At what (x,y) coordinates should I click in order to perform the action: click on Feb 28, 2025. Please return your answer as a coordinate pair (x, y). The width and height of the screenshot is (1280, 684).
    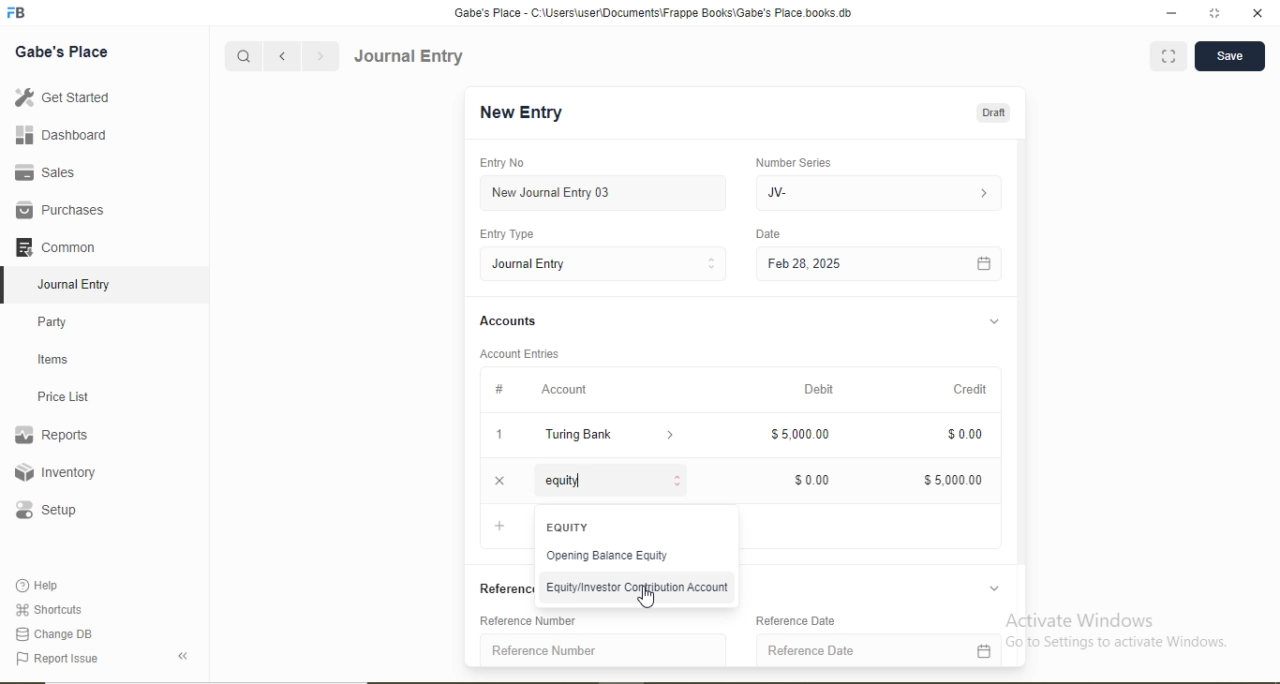
    Looking at the image, I should click on (804, 263).